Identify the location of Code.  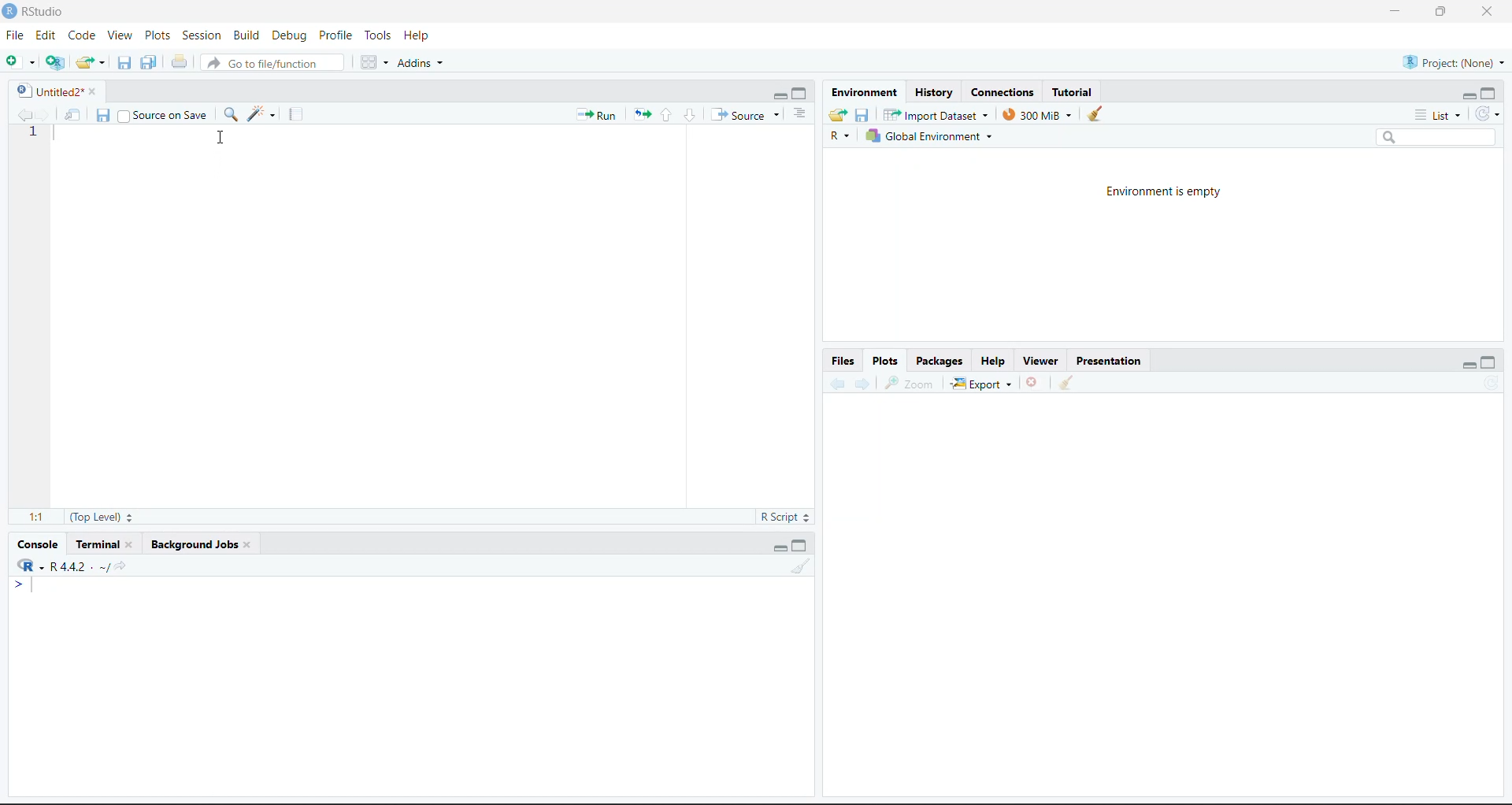
(81, 37).